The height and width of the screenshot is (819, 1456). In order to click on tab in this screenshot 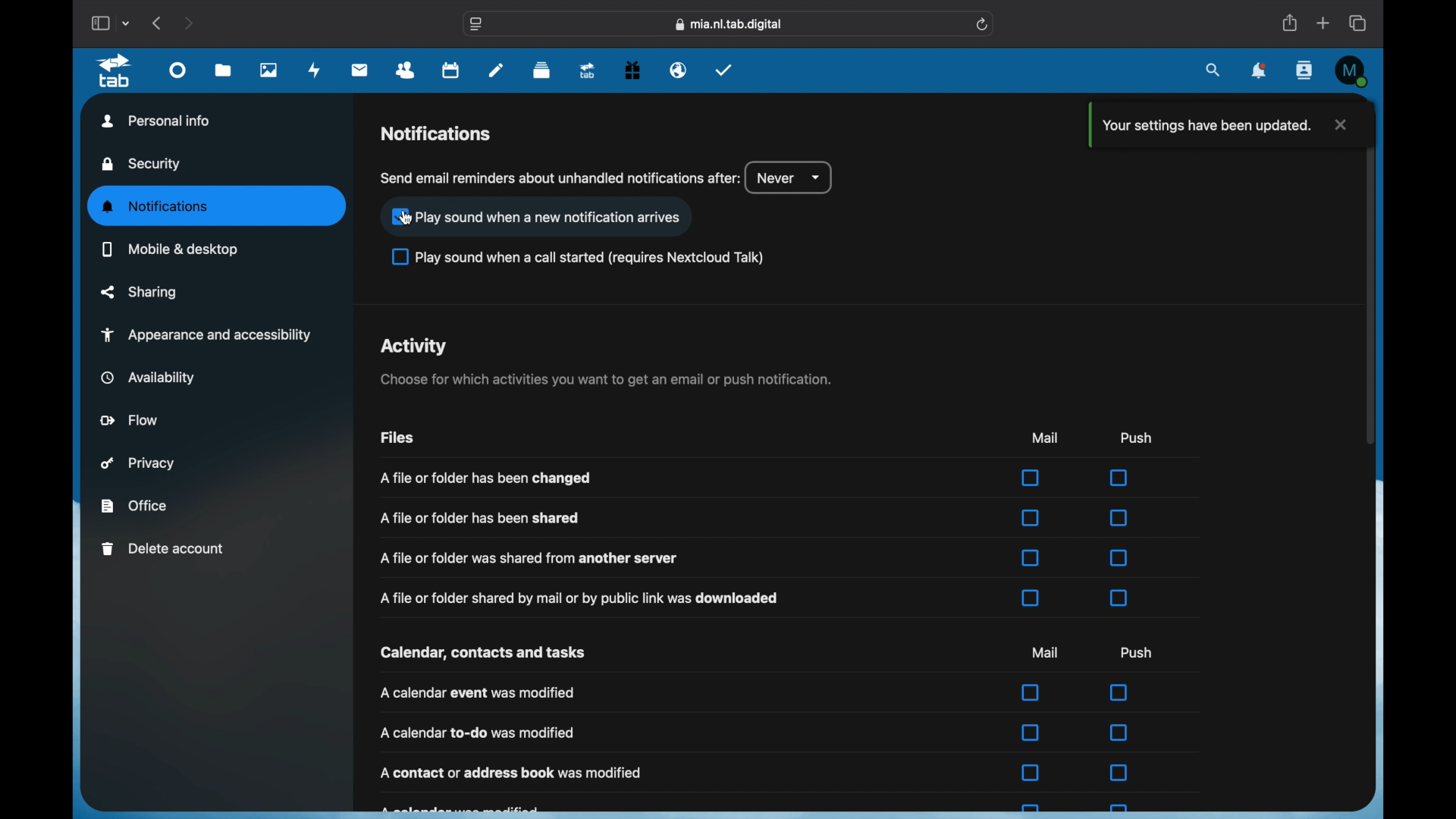, I will do `click(115, 71)`.